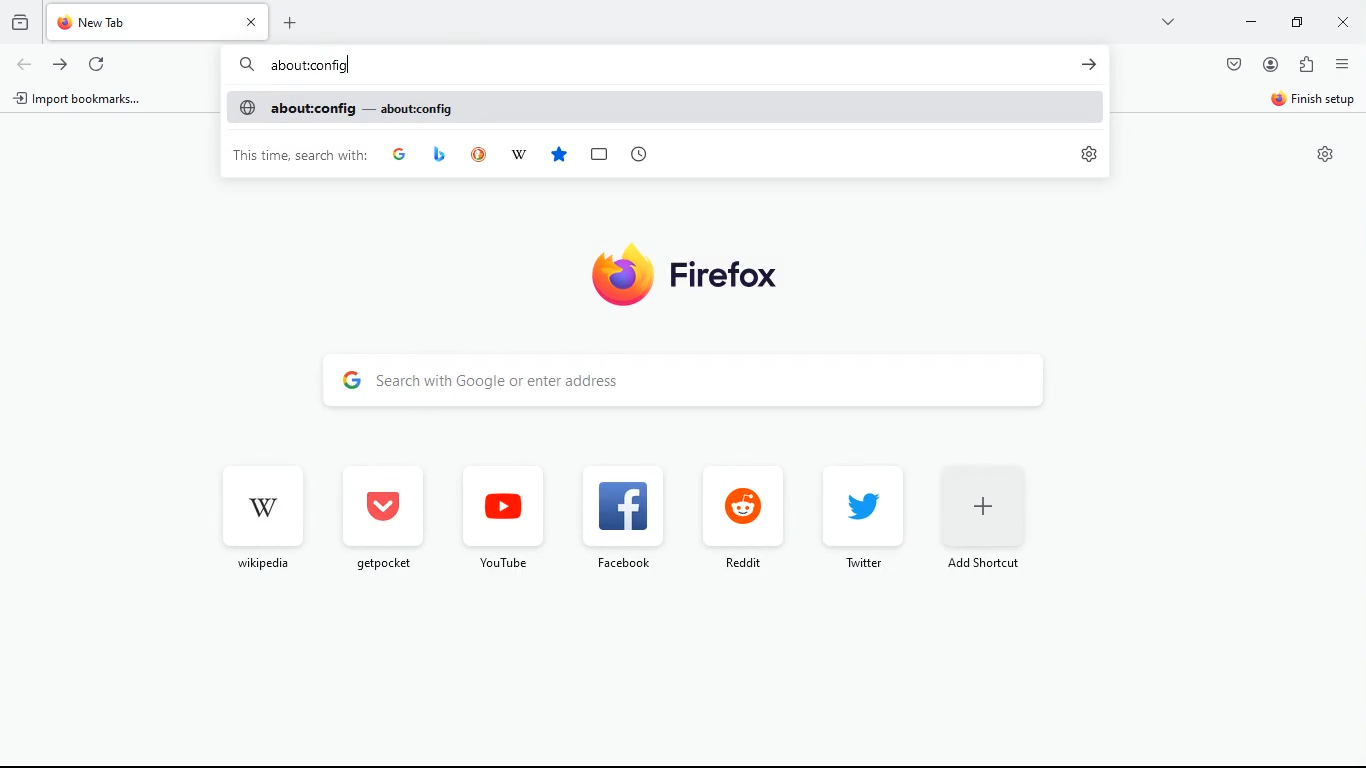 The height and width of the screenshot is (768, 1366). I want to click on more, so click(1165, 21).